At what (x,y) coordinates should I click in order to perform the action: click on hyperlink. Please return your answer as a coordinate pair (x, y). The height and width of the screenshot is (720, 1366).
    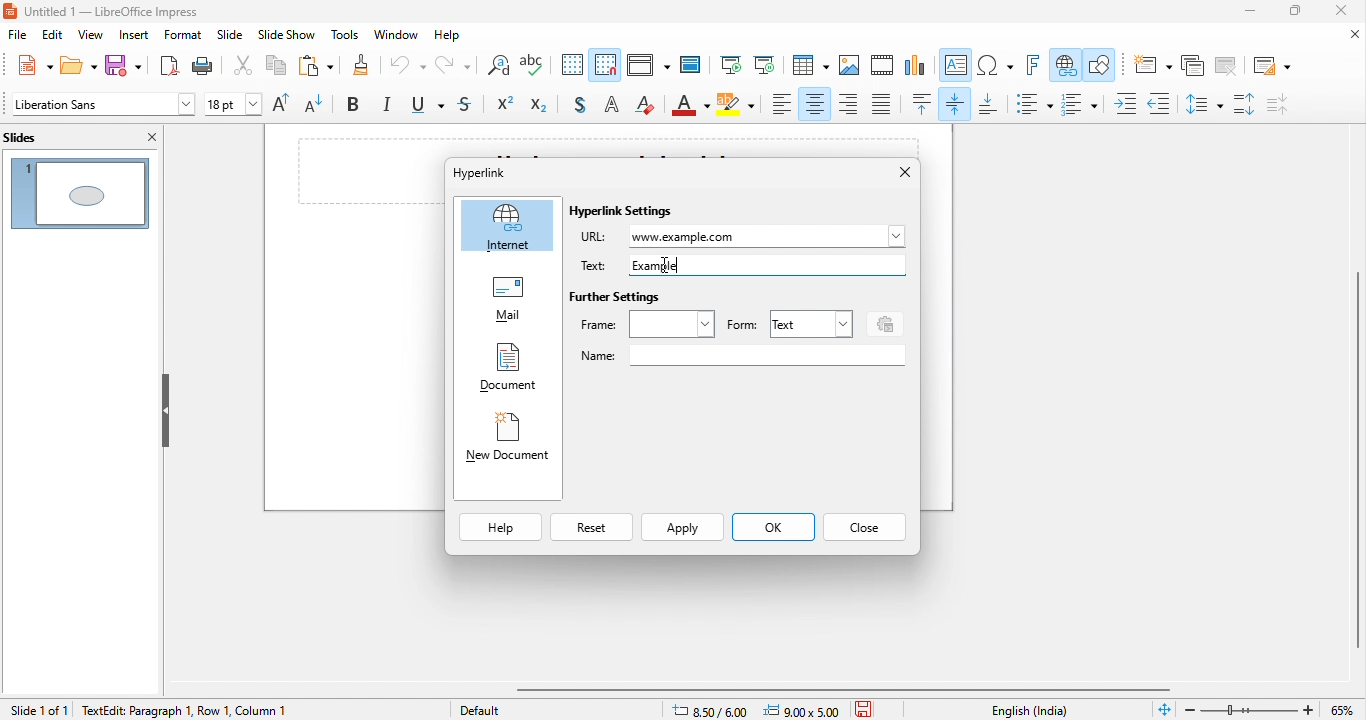
    Looking at the image, I should click on (499, 172).